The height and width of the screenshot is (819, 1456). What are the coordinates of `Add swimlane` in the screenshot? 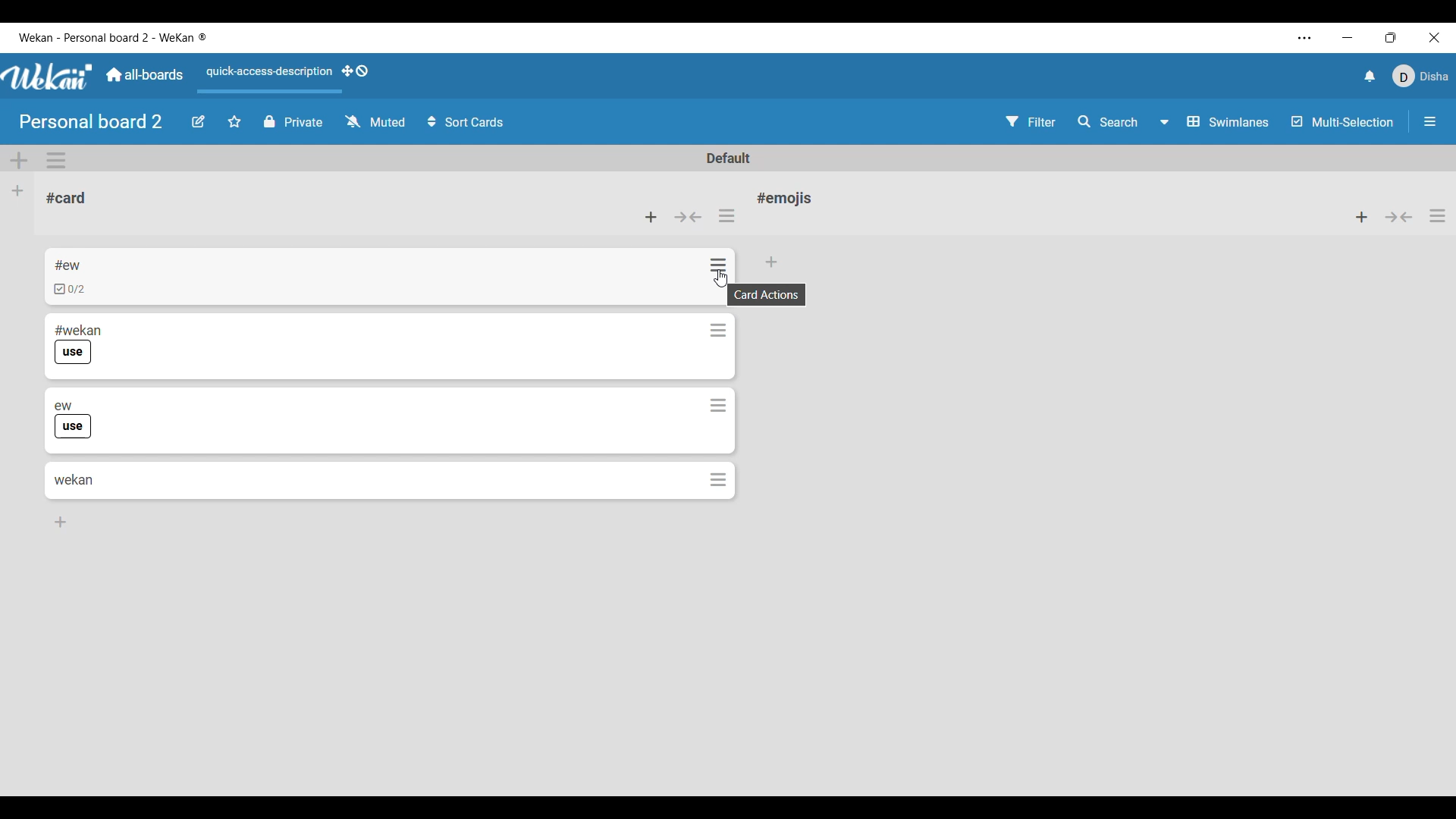 It's located at (20, 161).